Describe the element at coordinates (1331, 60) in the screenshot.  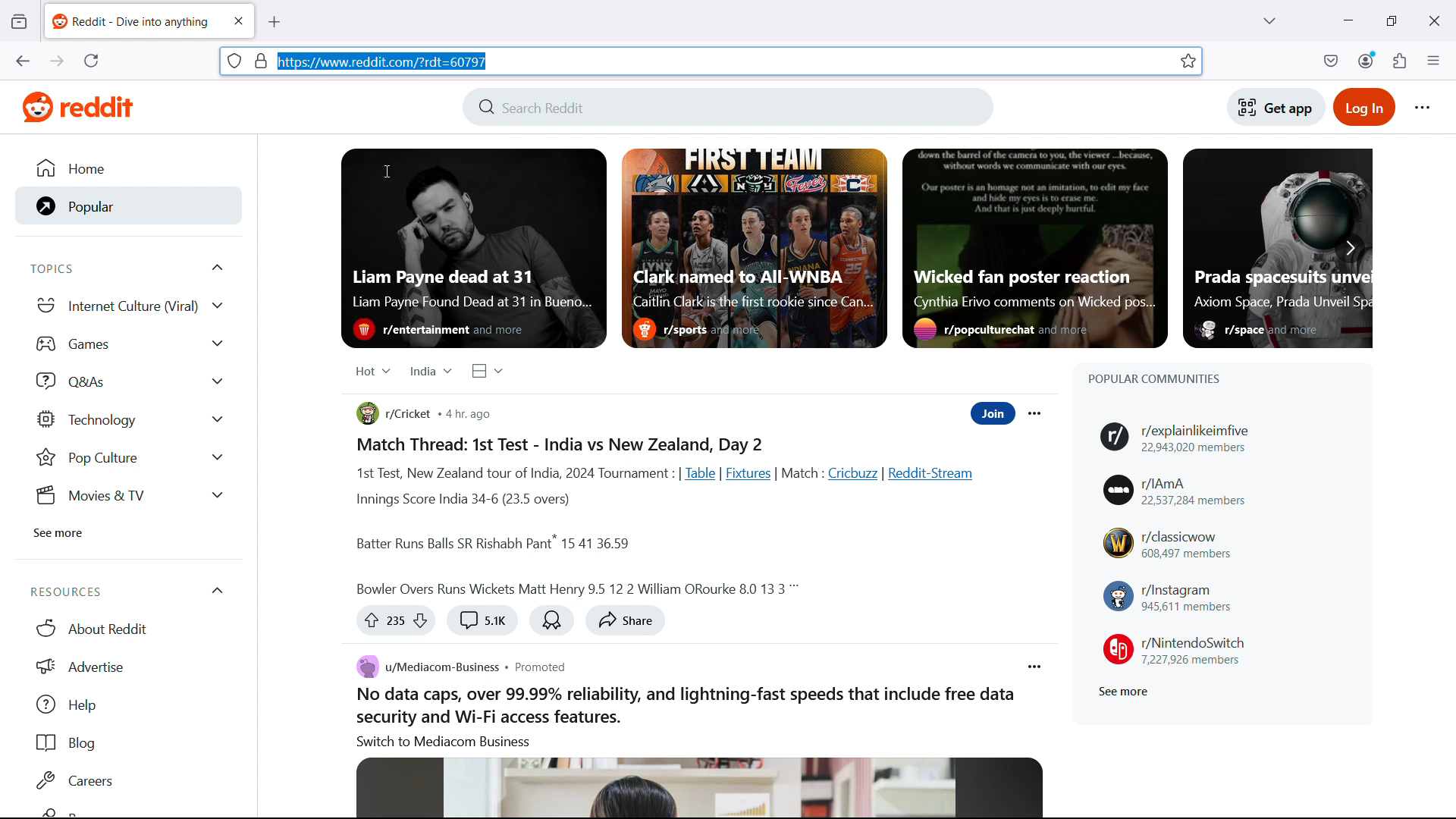
I see `save to pocket` at that location.